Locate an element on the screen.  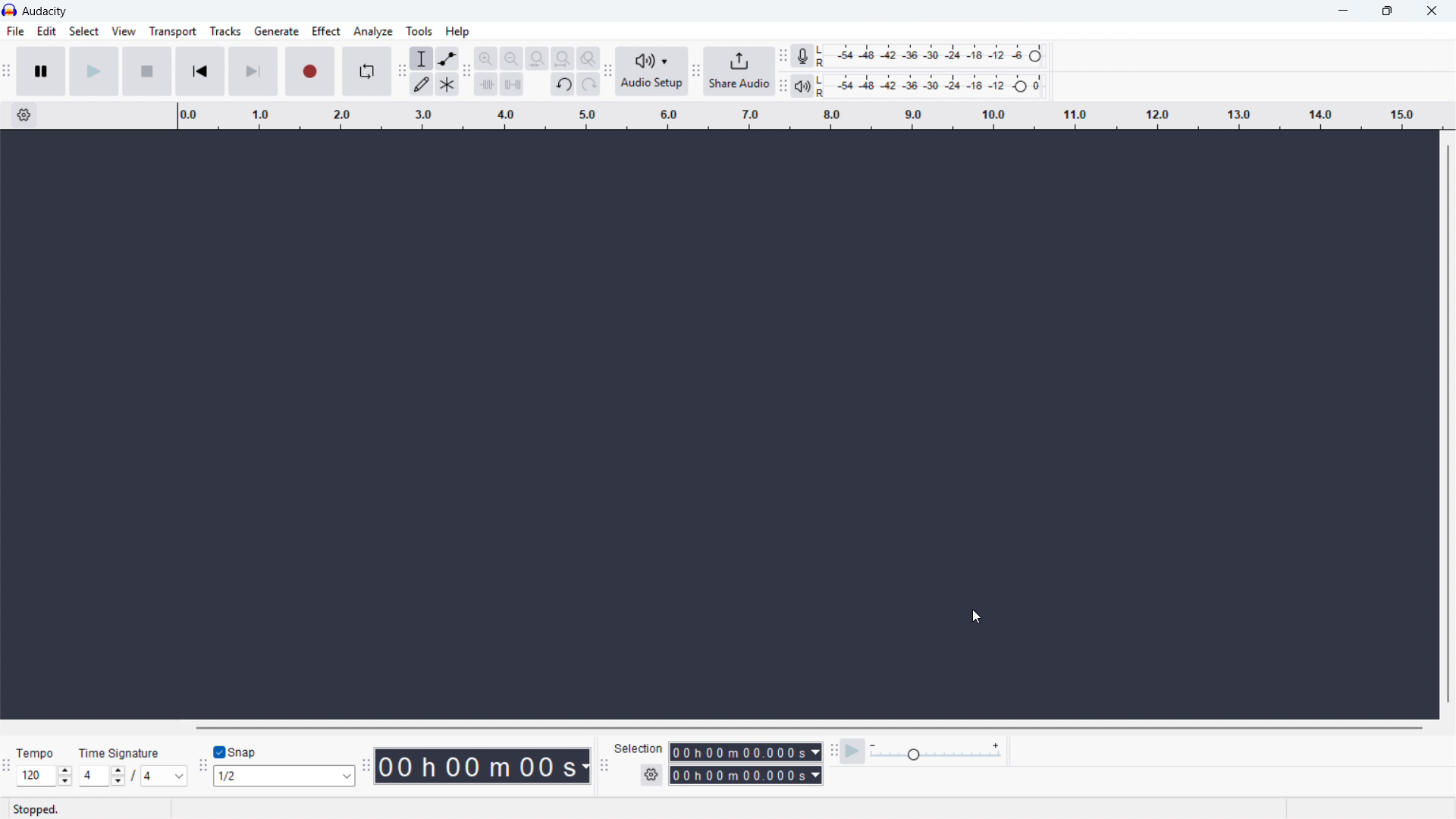
enable loop is located at coordinates (366, 72).